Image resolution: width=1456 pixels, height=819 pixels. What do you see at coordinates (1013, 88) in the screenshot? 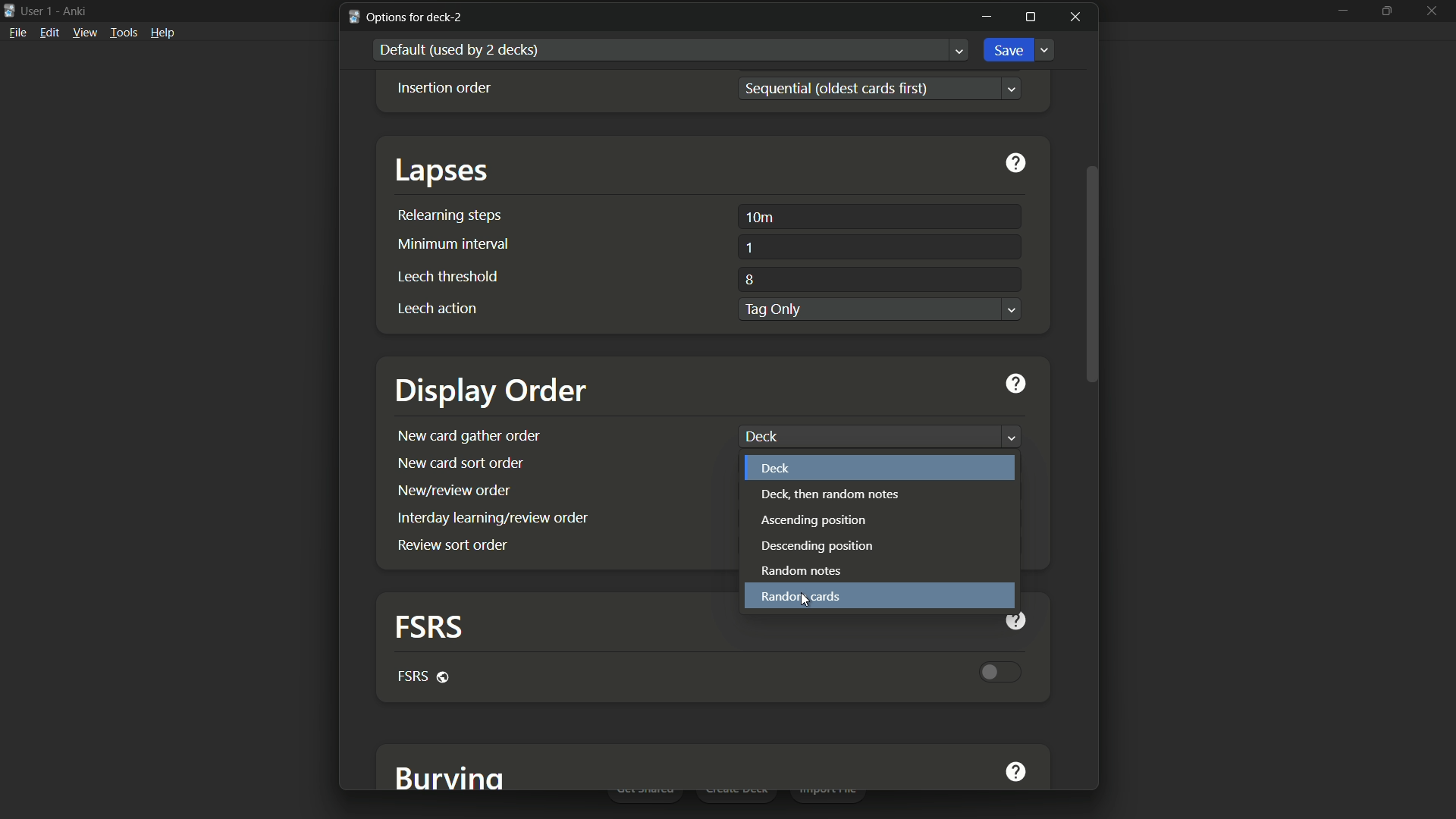
I see `Dropdown` at bounding box center [1013, 88].